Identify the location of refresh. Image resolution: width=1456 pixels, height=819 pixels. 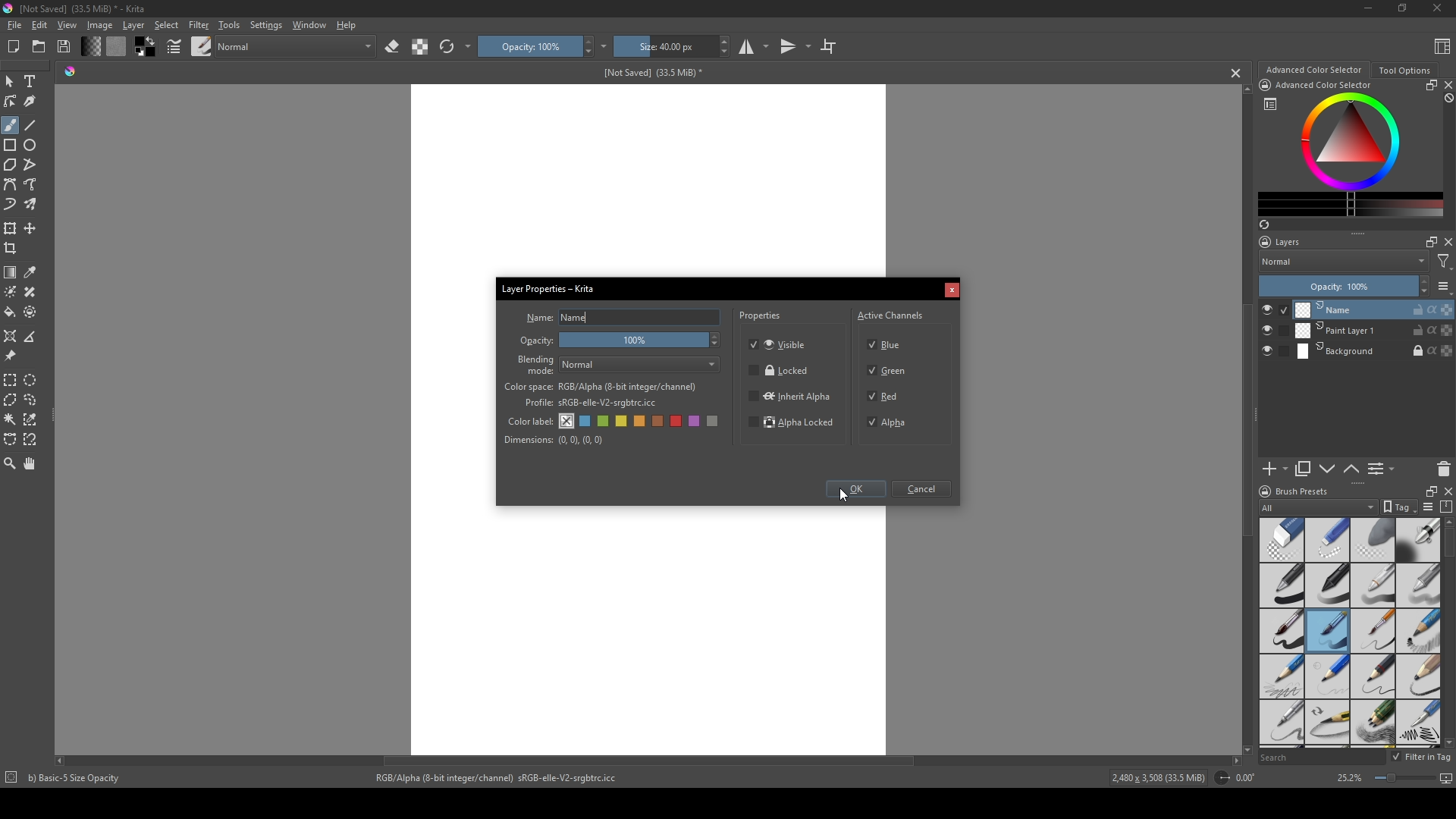
(1263, 224).